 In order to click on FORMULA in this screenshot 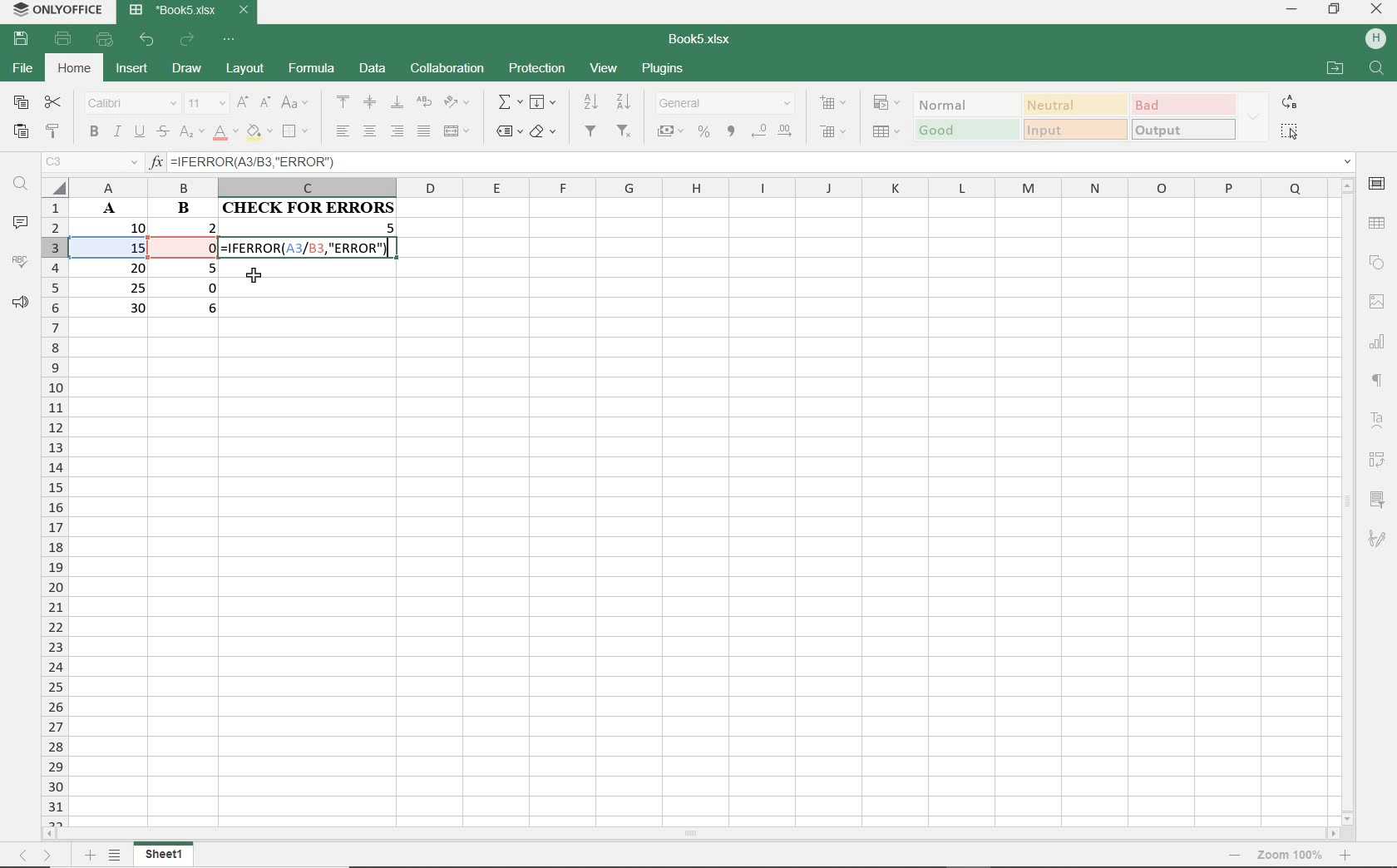, I will do `click(311, 71)`.